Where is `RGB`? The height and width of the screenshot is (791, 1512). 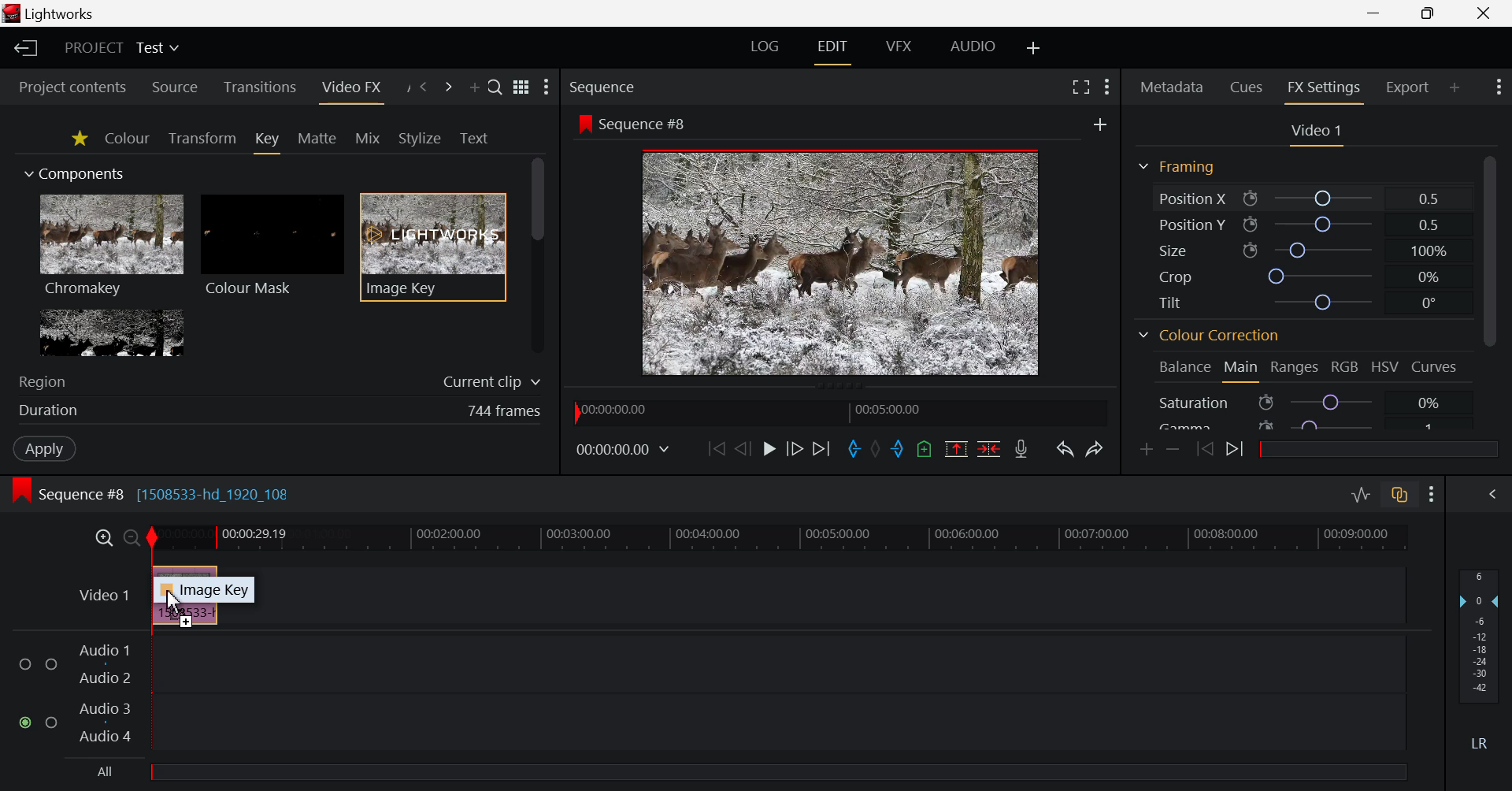 RGB is located at coordinates (1346, 369).